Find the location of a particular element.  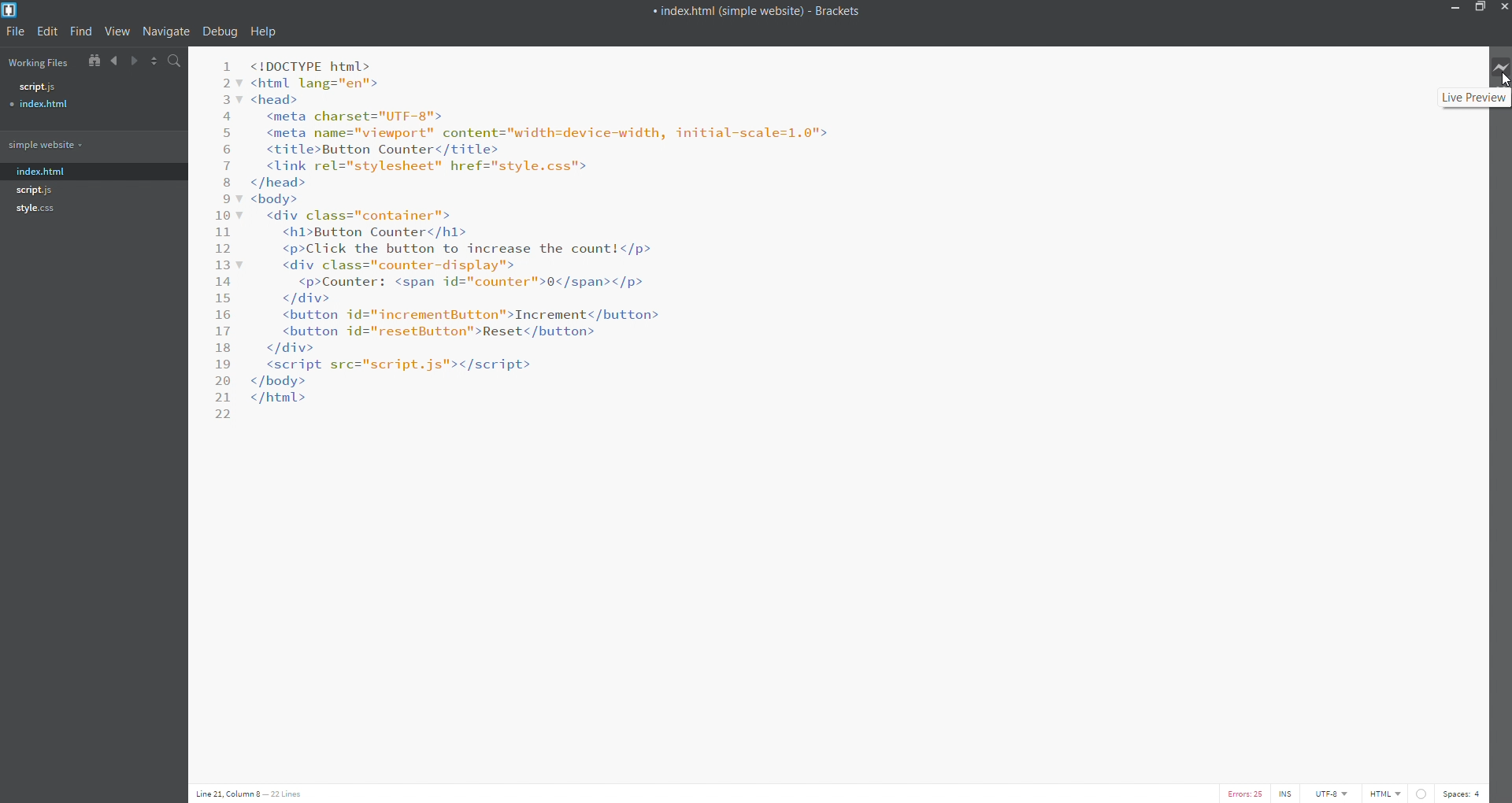

search is located at coordinates (173, 61).